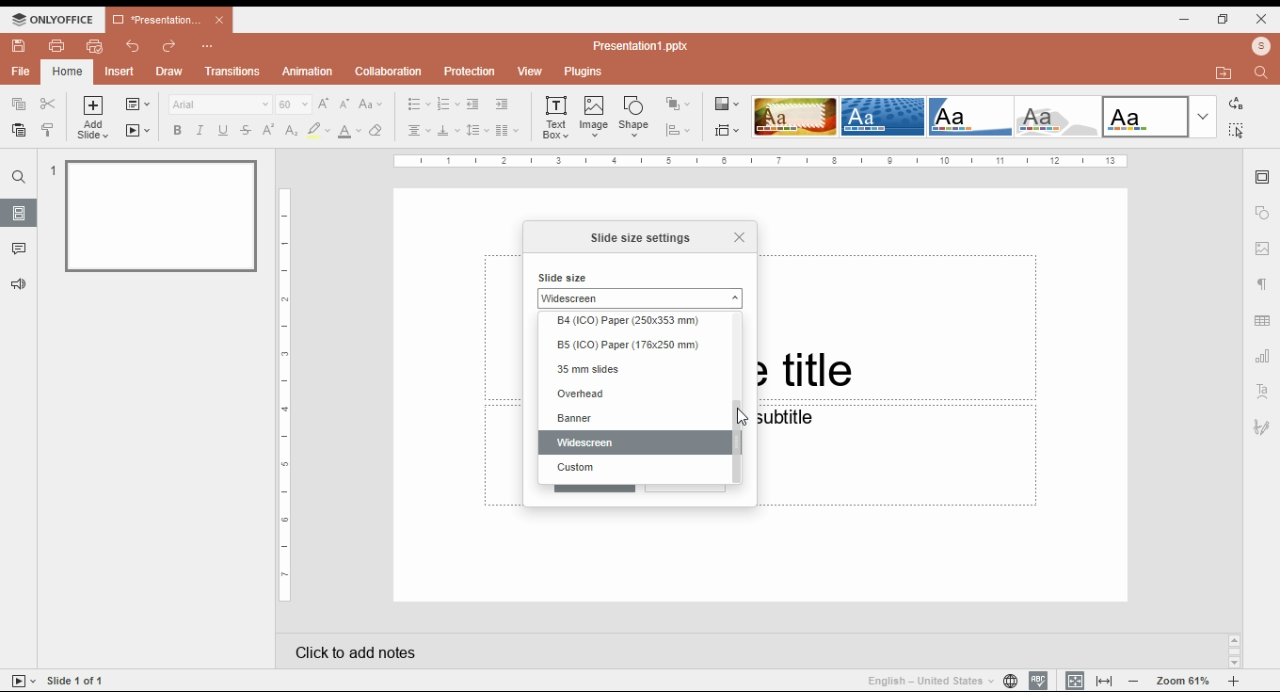 Image resolution: width=1280 pixels, height=692 pixels. I want to click on superscript, so click(269, 129).